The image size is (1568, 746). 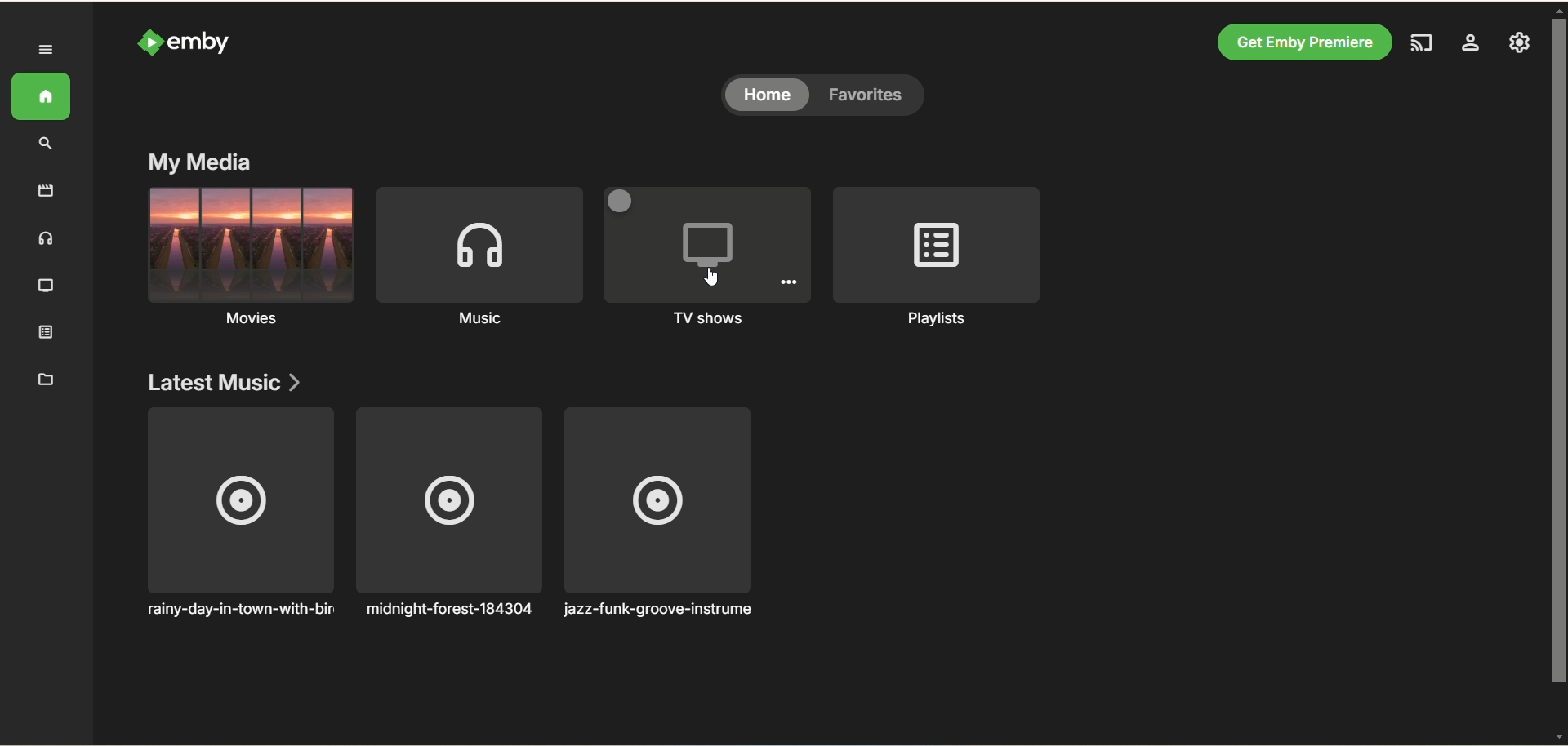 I want to click on manage emby server, so click(x=1518, y=42).